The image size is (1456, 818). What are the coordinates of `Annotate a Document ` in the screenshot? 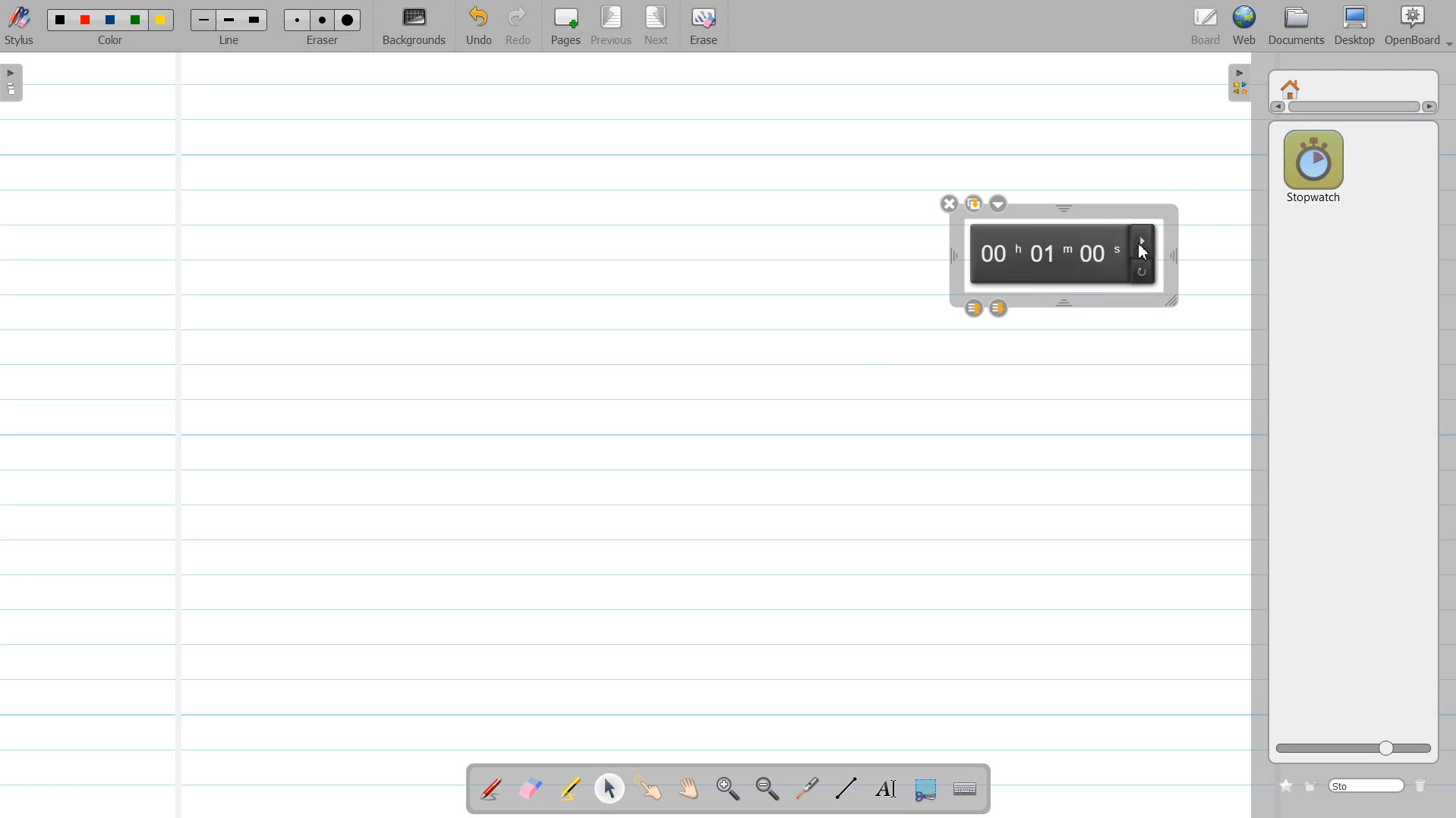 It's located at (491, 788).